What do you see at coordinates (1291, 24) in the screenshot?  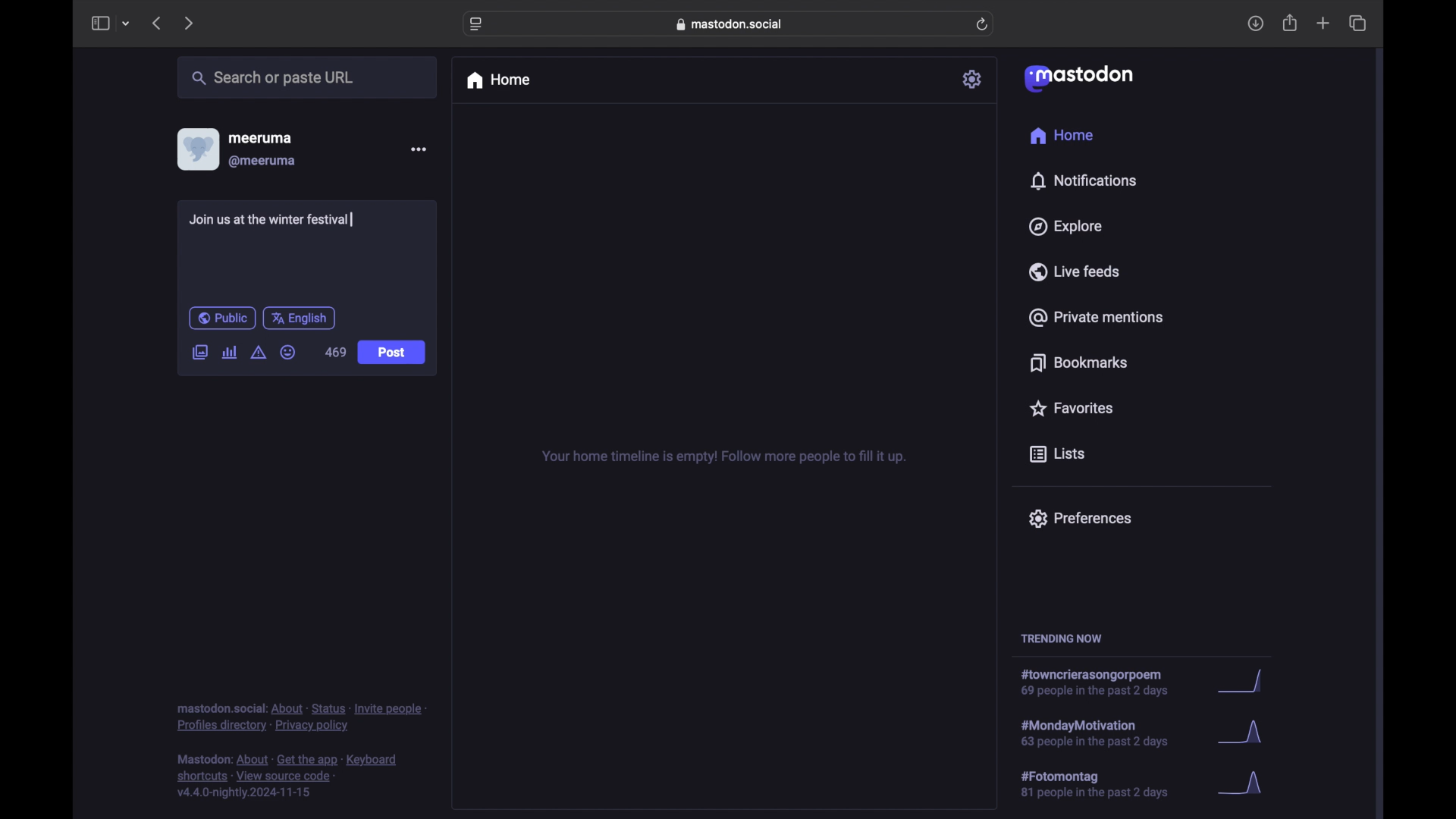 I see `share` at bounding box center [1291, 24].